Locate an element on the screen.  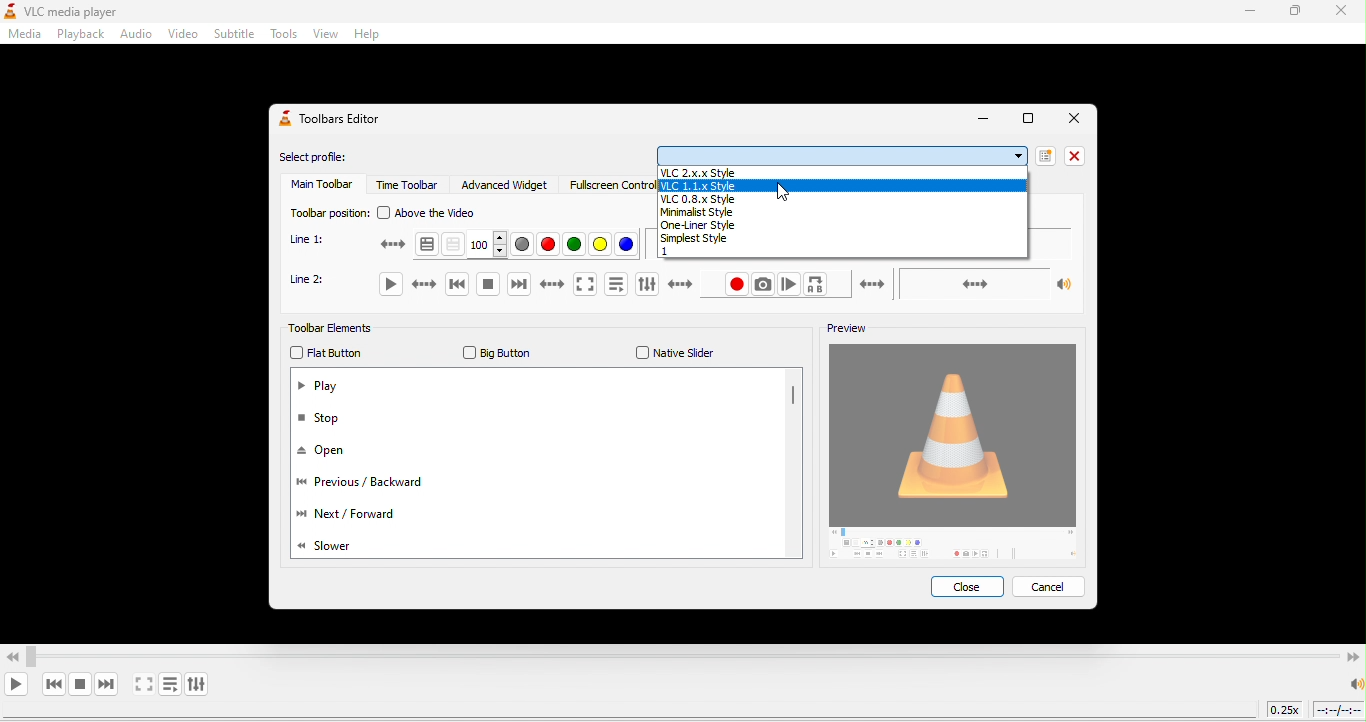
flat button is located at coordinates (328, 354).